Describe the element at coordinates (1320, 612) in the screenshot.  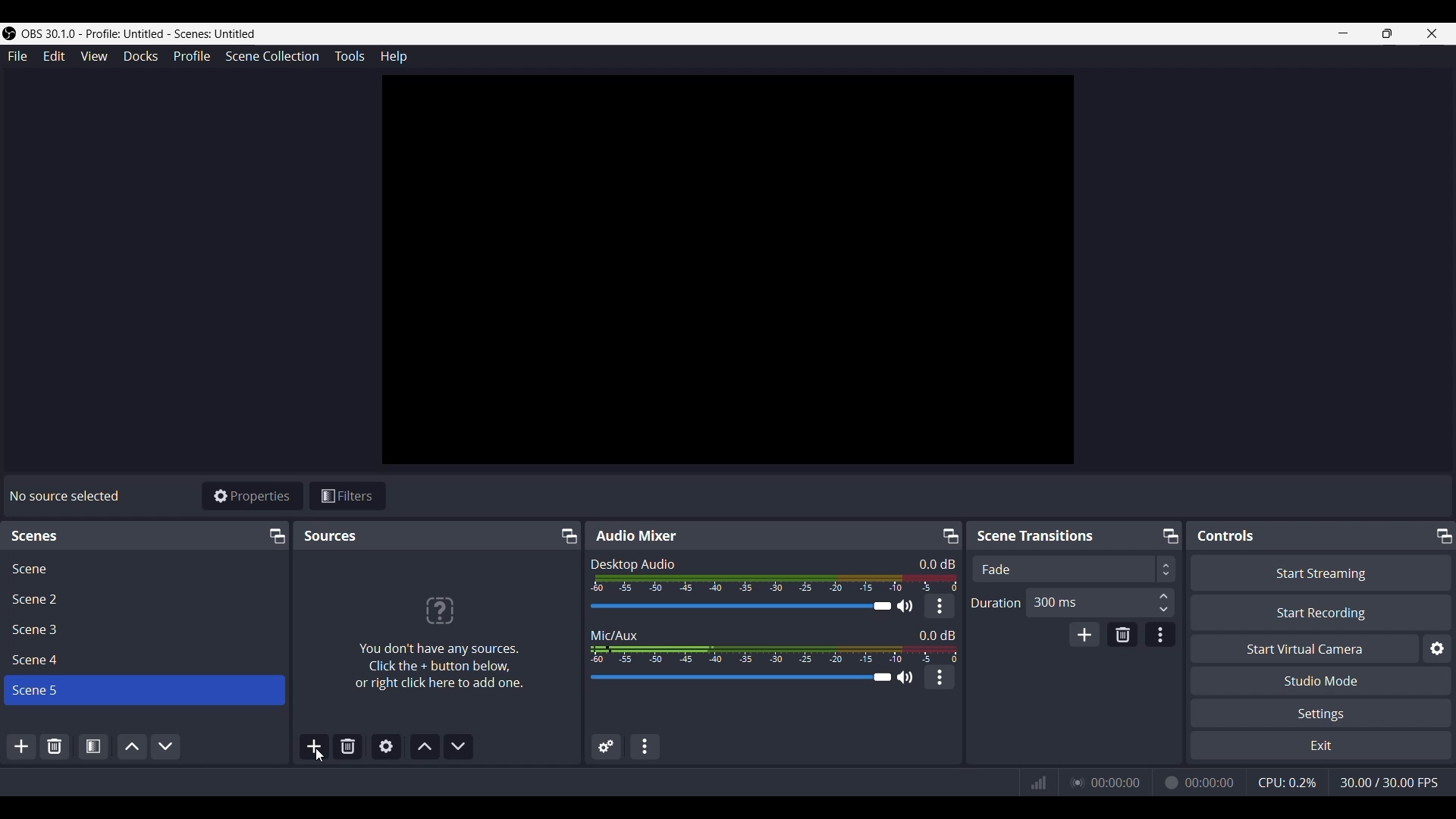
I see `Start Recording` at that location.